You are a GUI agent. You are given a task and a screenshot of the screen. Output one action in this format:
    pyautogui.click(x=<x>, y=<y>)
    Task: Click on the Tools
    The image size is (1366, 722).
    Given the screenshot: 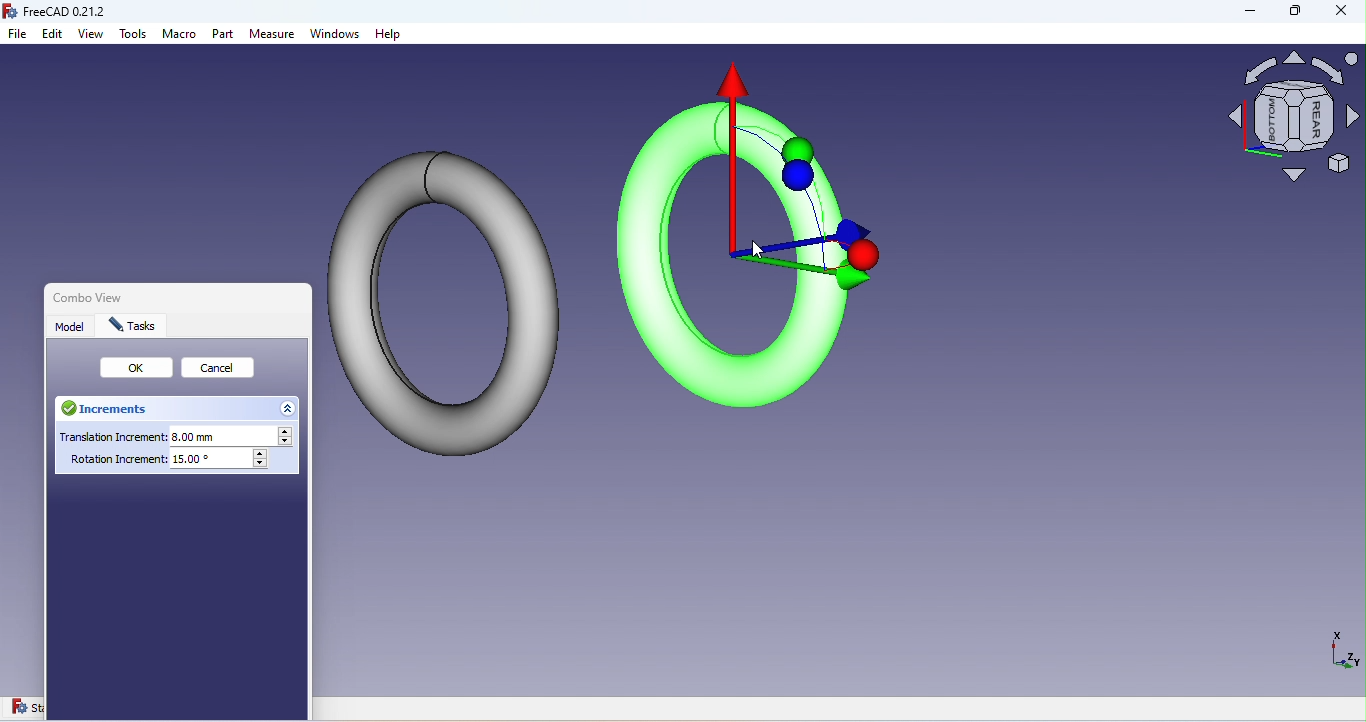 What is the action you would take?
    pyautogui.click(x=134, y=38)
    